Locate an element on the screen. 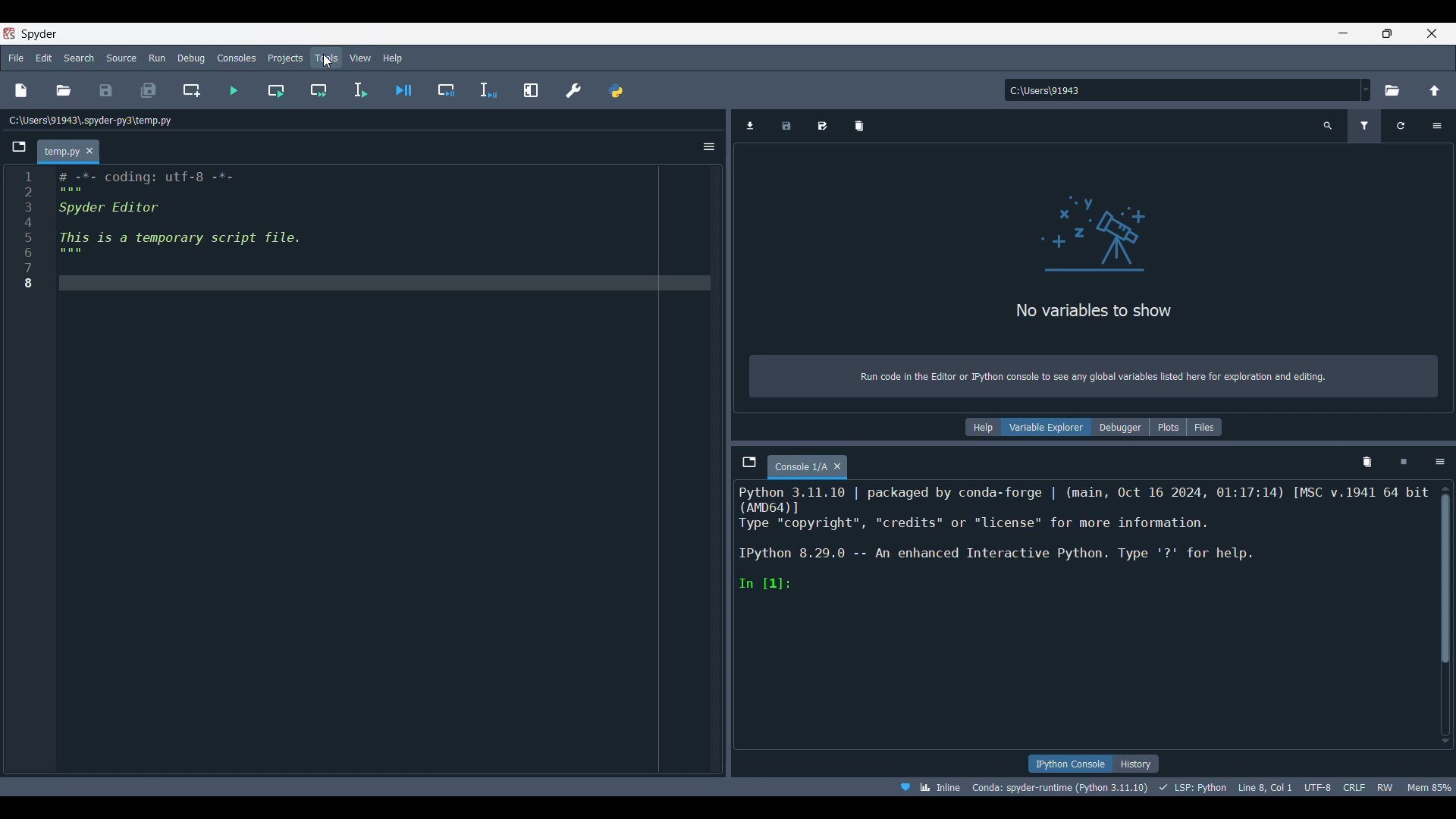 This screenshot has width=1456, height=819. Remove all variable is located at coordinates (859, 127).